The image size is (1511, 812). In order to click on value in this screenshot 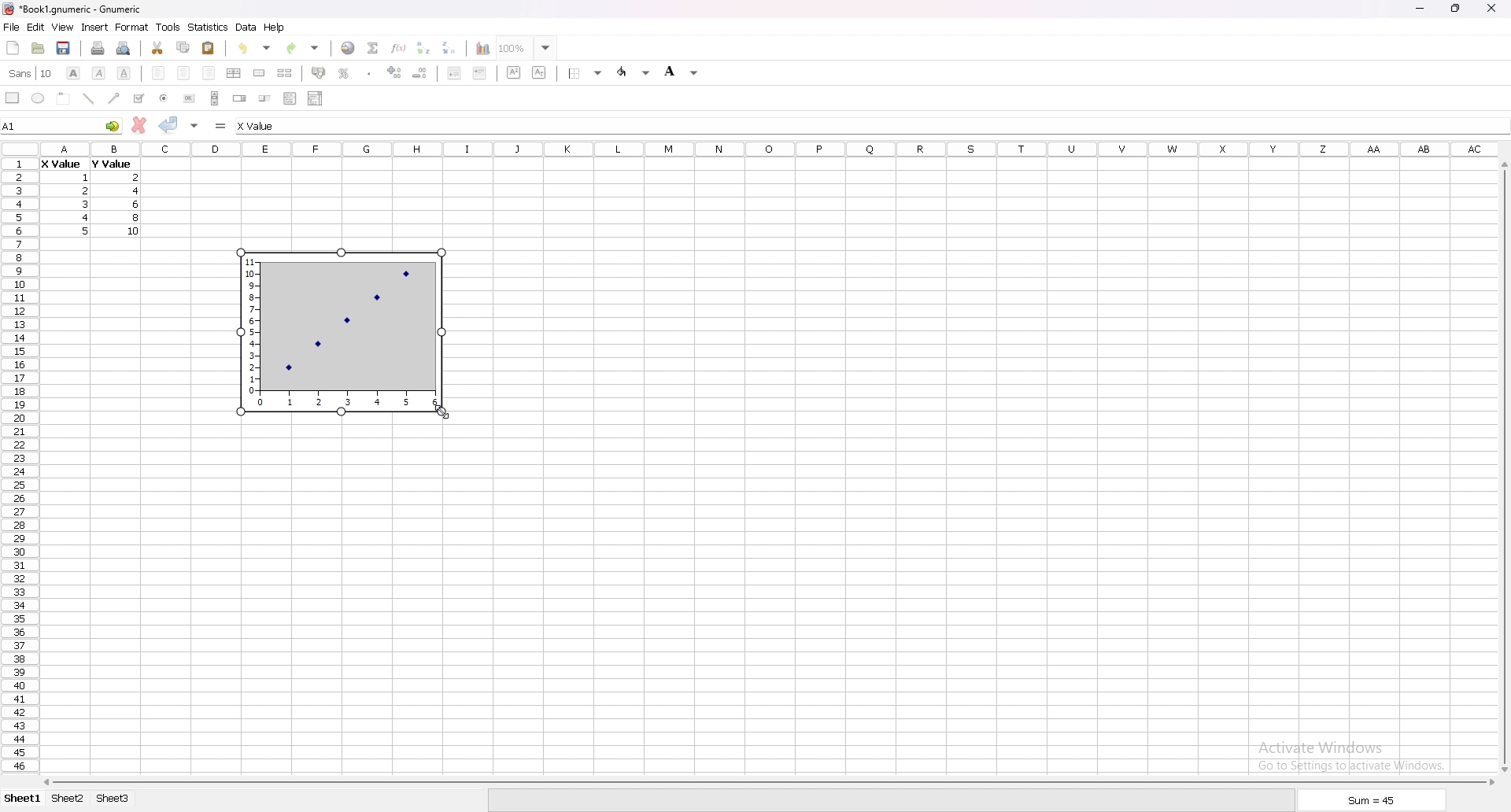, I will do `click(110, 164)`.